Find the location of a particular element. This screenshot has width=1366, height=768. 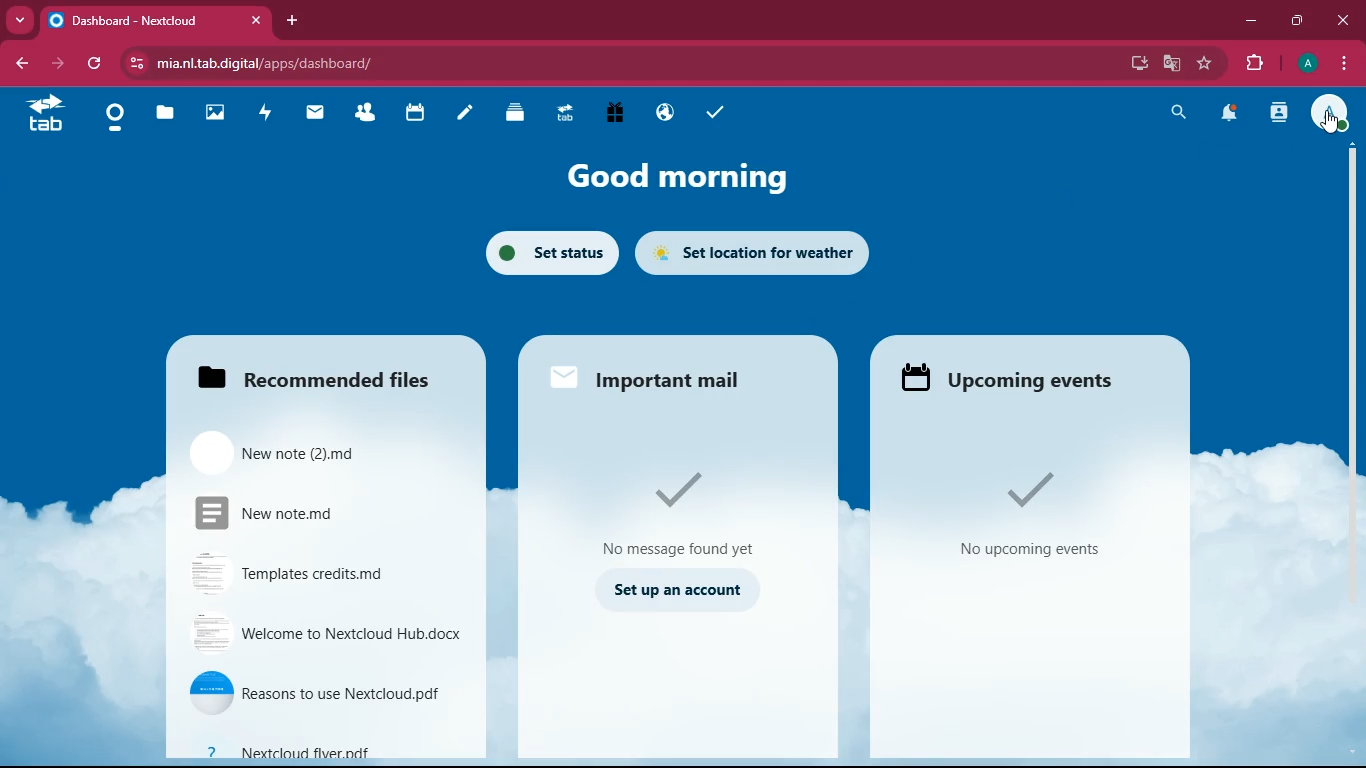

tab is located at coordinates (48, 111).